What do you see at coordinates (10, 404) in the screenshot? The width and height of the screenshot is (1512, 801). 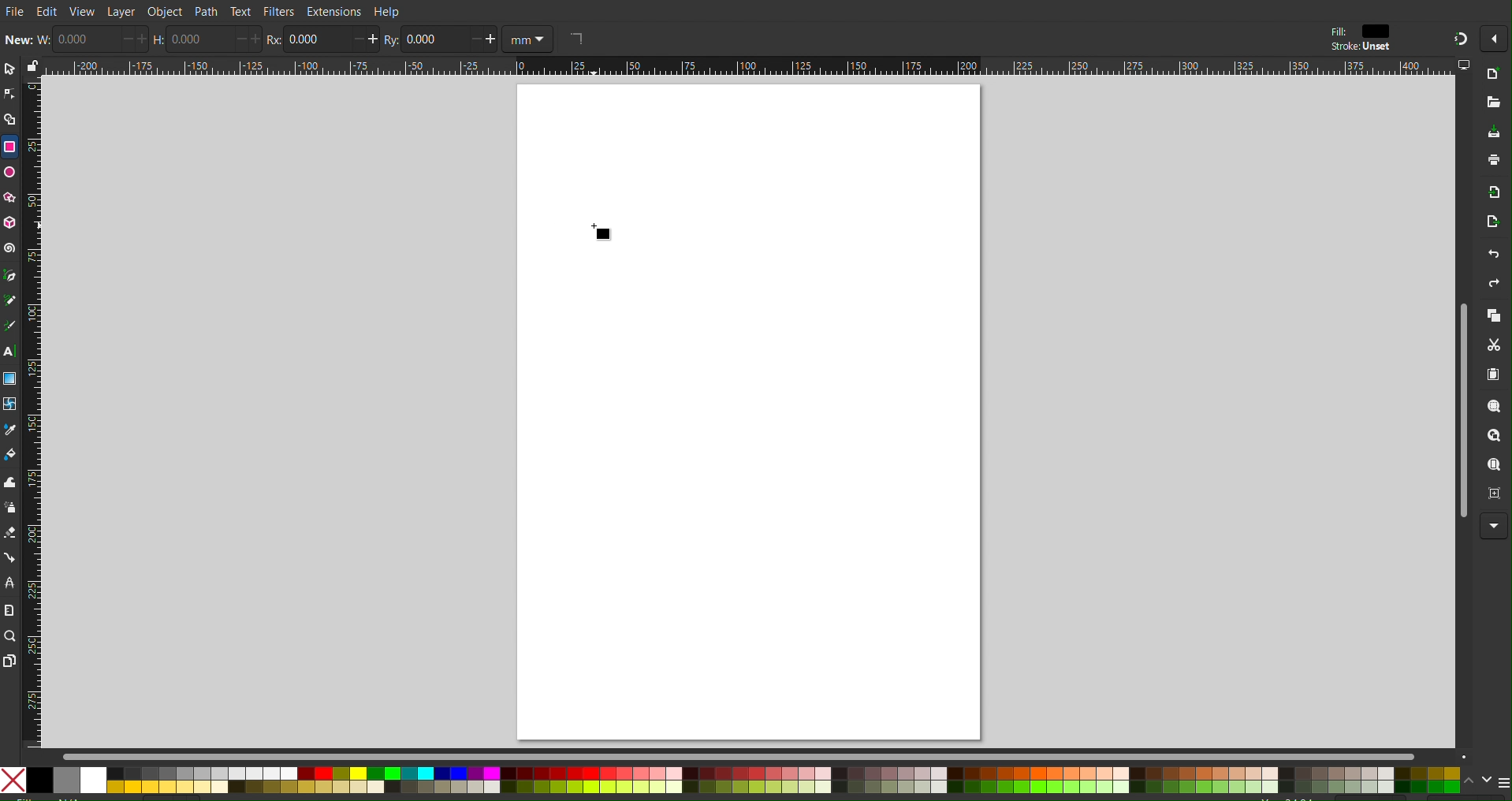 I see `Mesh tool` at bounding box center [10, 404].